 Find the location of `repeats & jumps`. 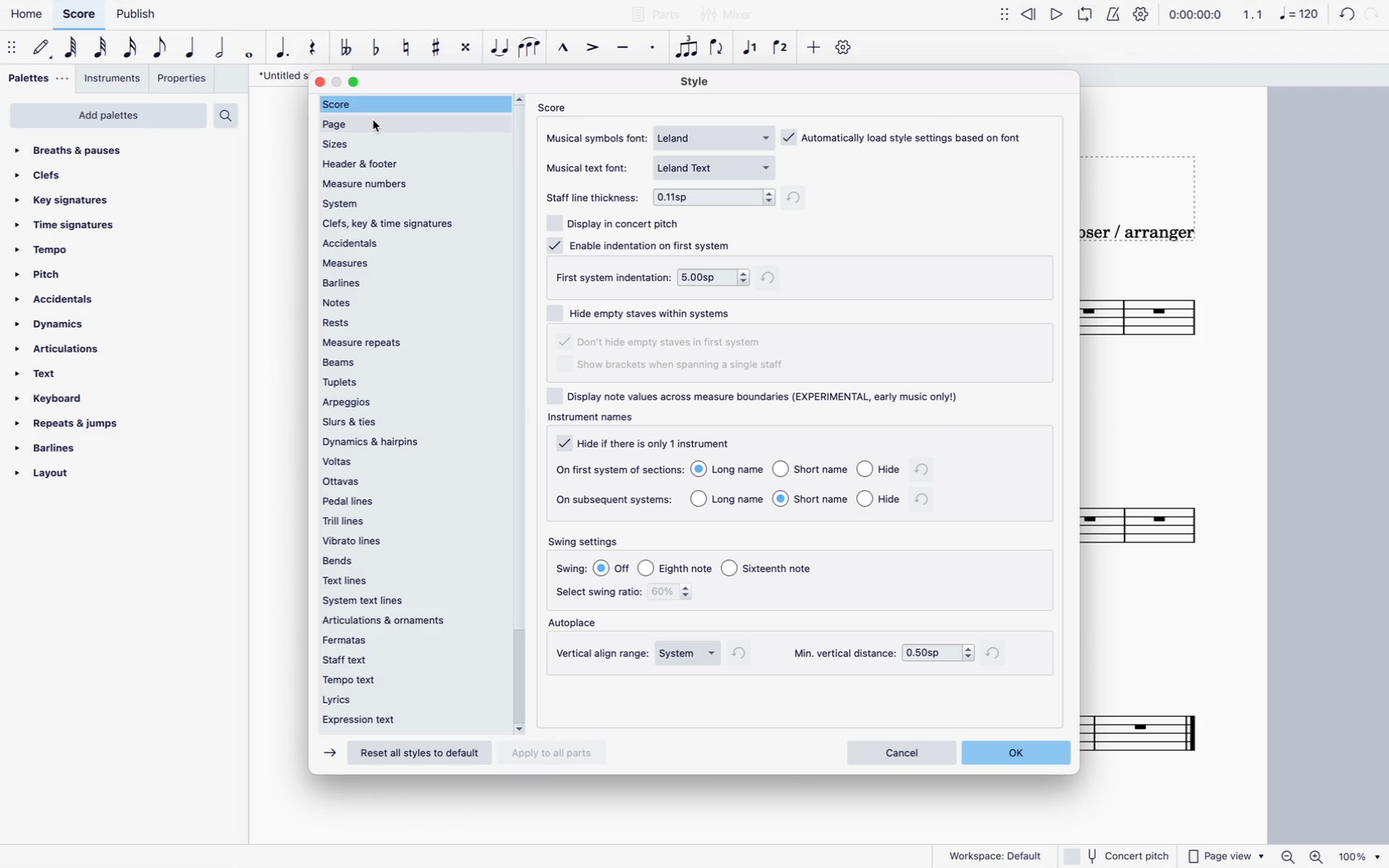

repeats & jumps is located at coordinates (74, 423).